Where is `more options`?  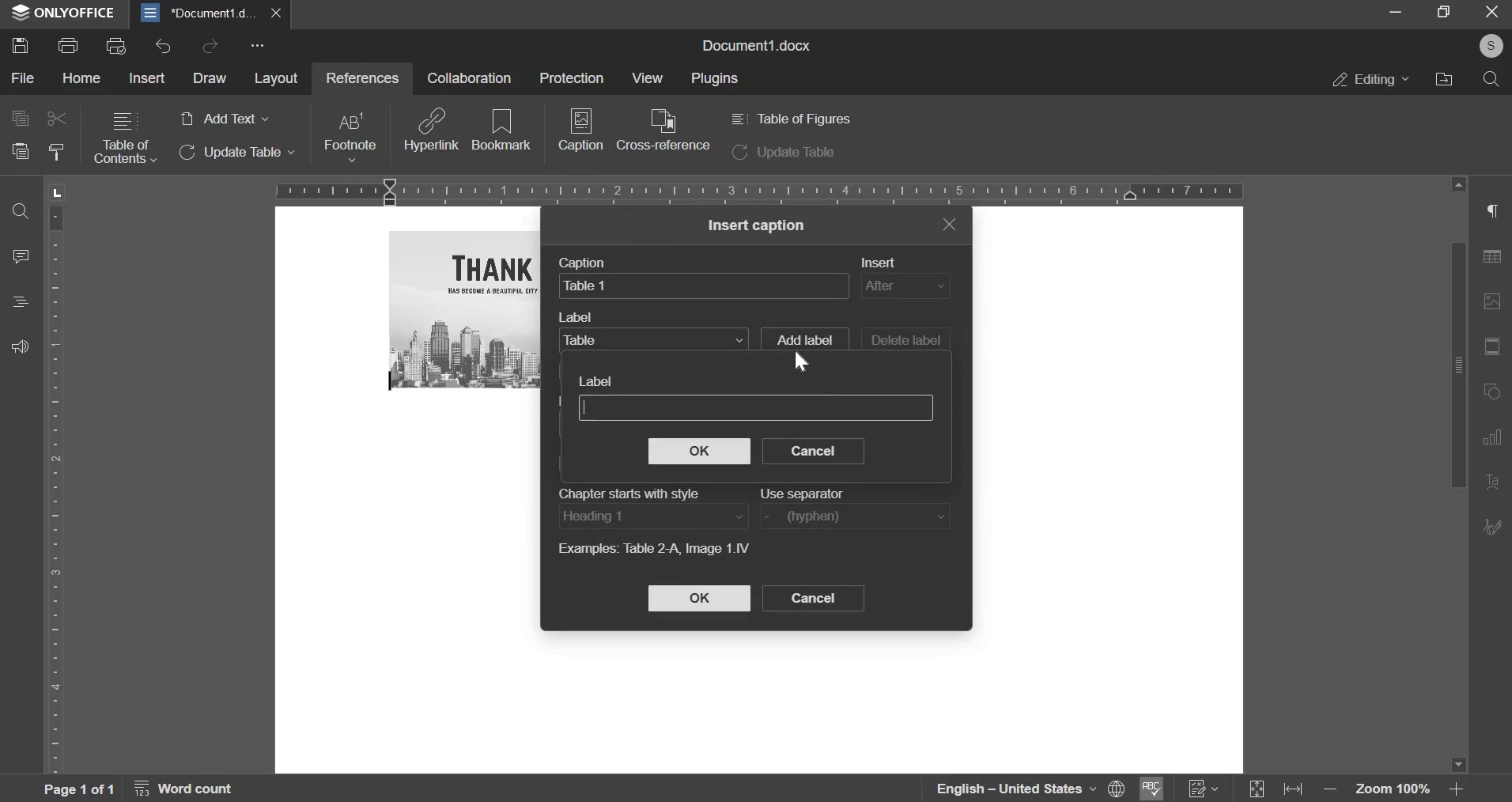
more options is located at coordinates (260, 47).